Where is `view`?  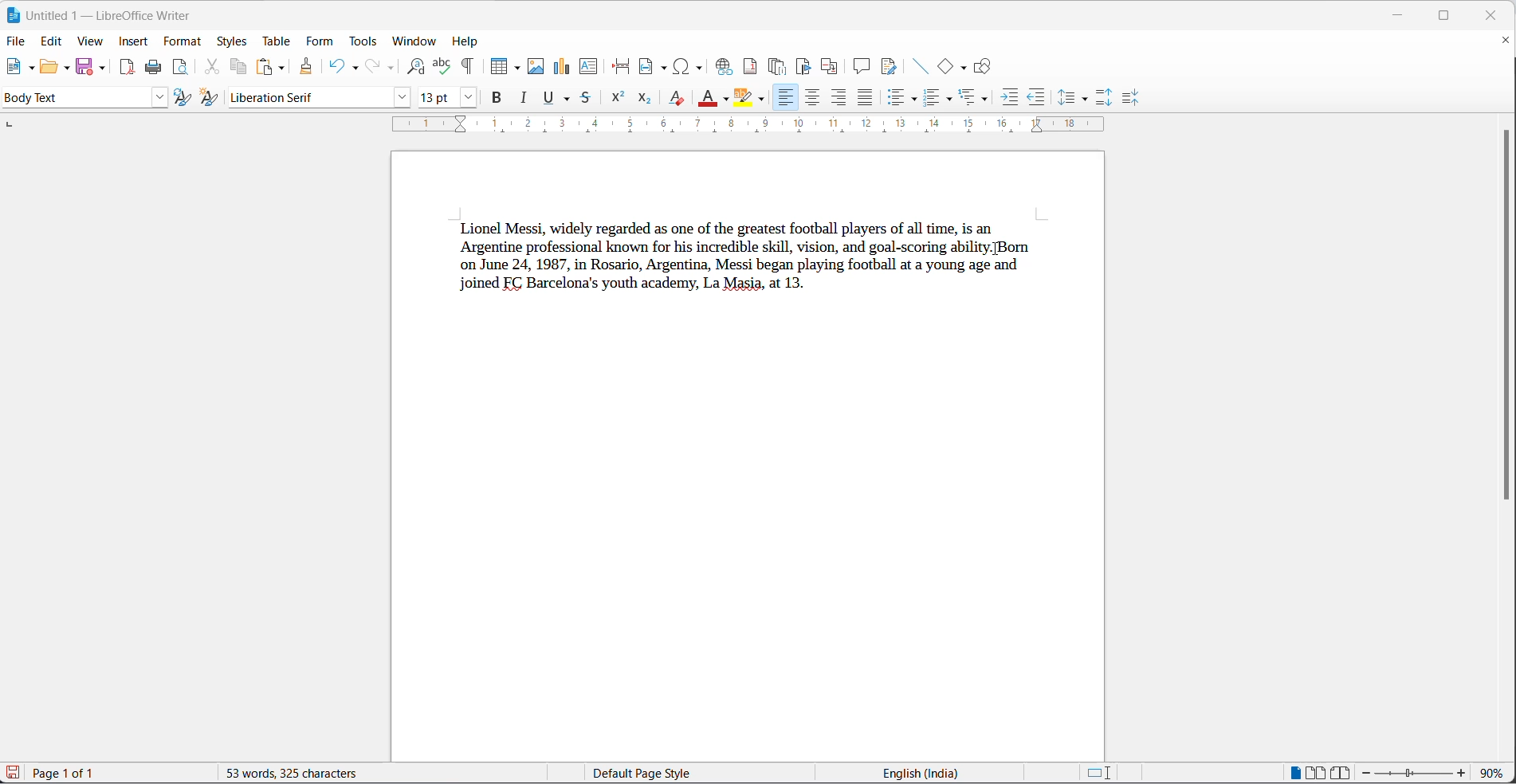
view is located at coordinates (89, 40).